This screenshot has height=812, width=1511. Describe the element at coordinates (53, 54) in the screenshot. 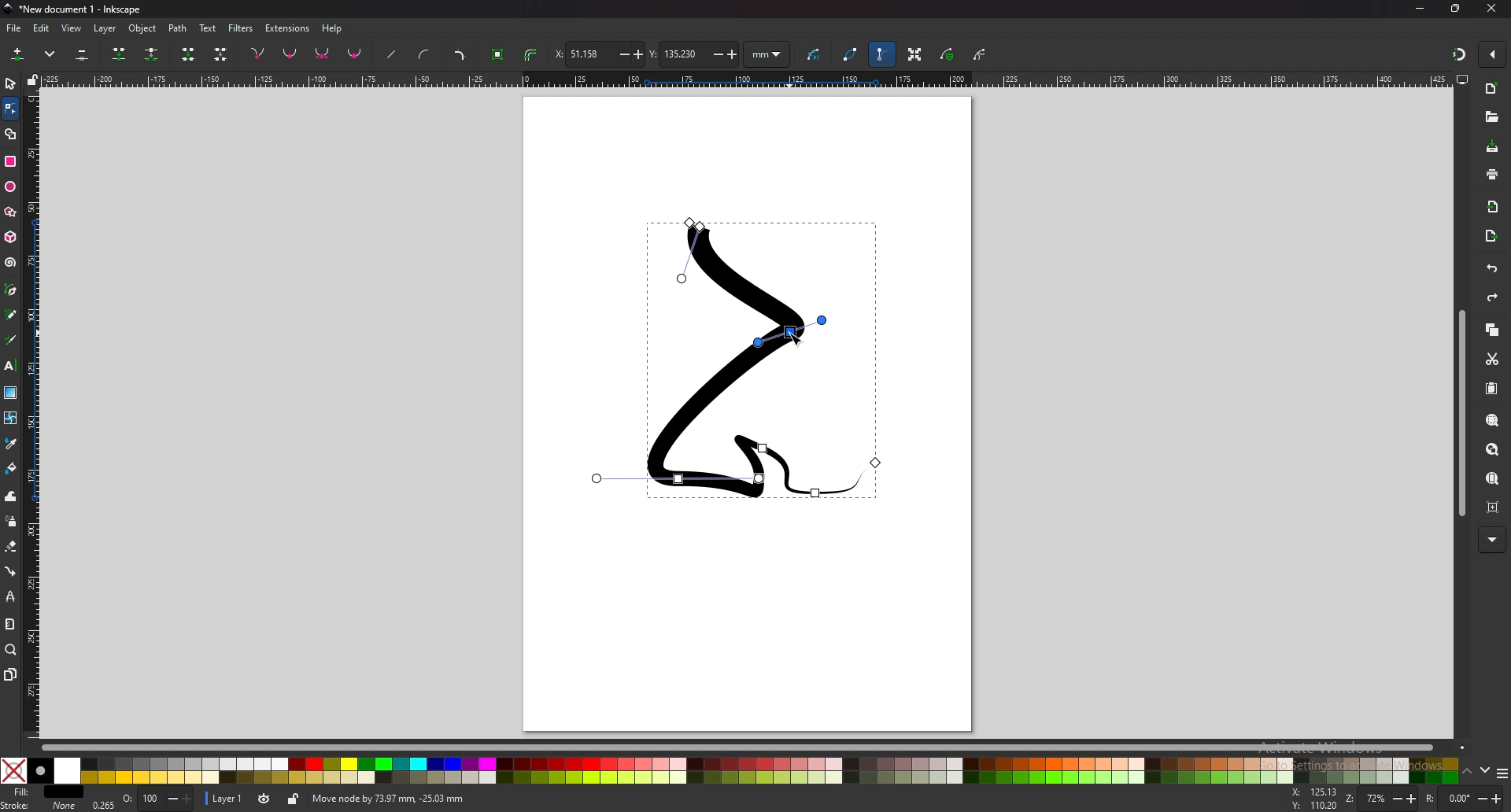

I see `more options` at that location.